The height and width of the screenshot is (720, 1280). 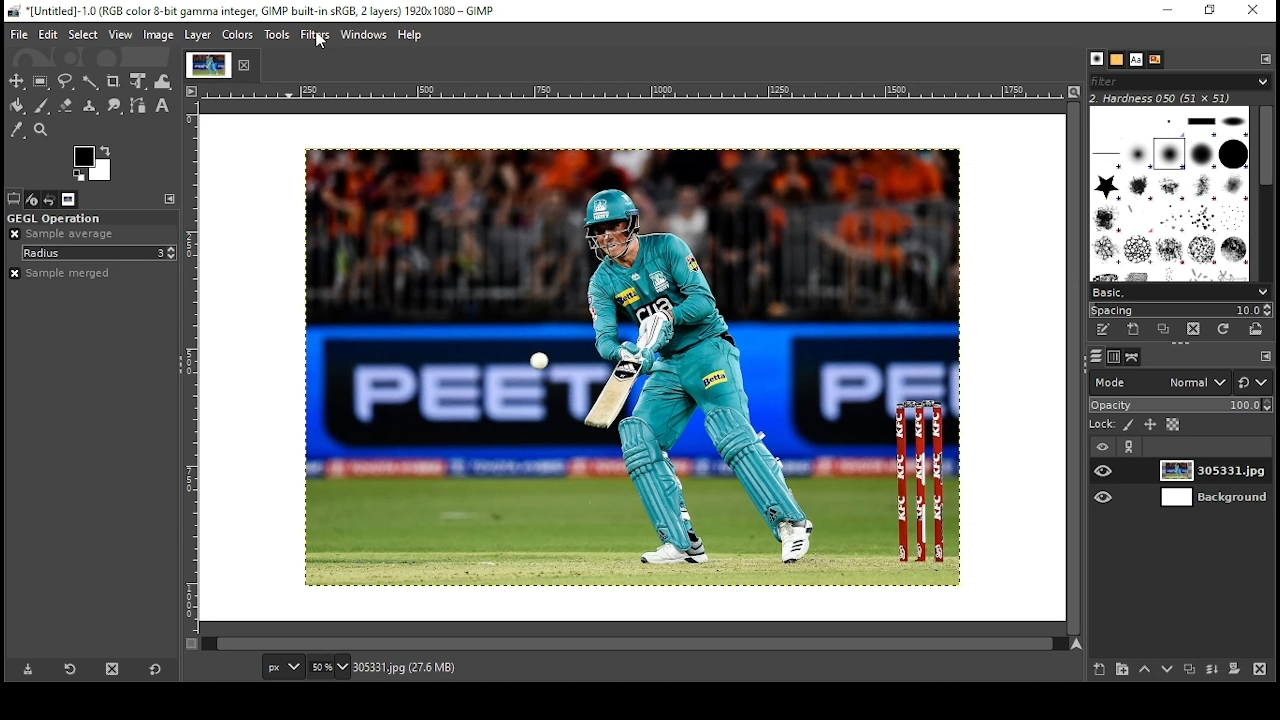 What do you see at coordinates (67, 81) in the screenshot?
I see `free selection tool` at bounding box center [67, 81].